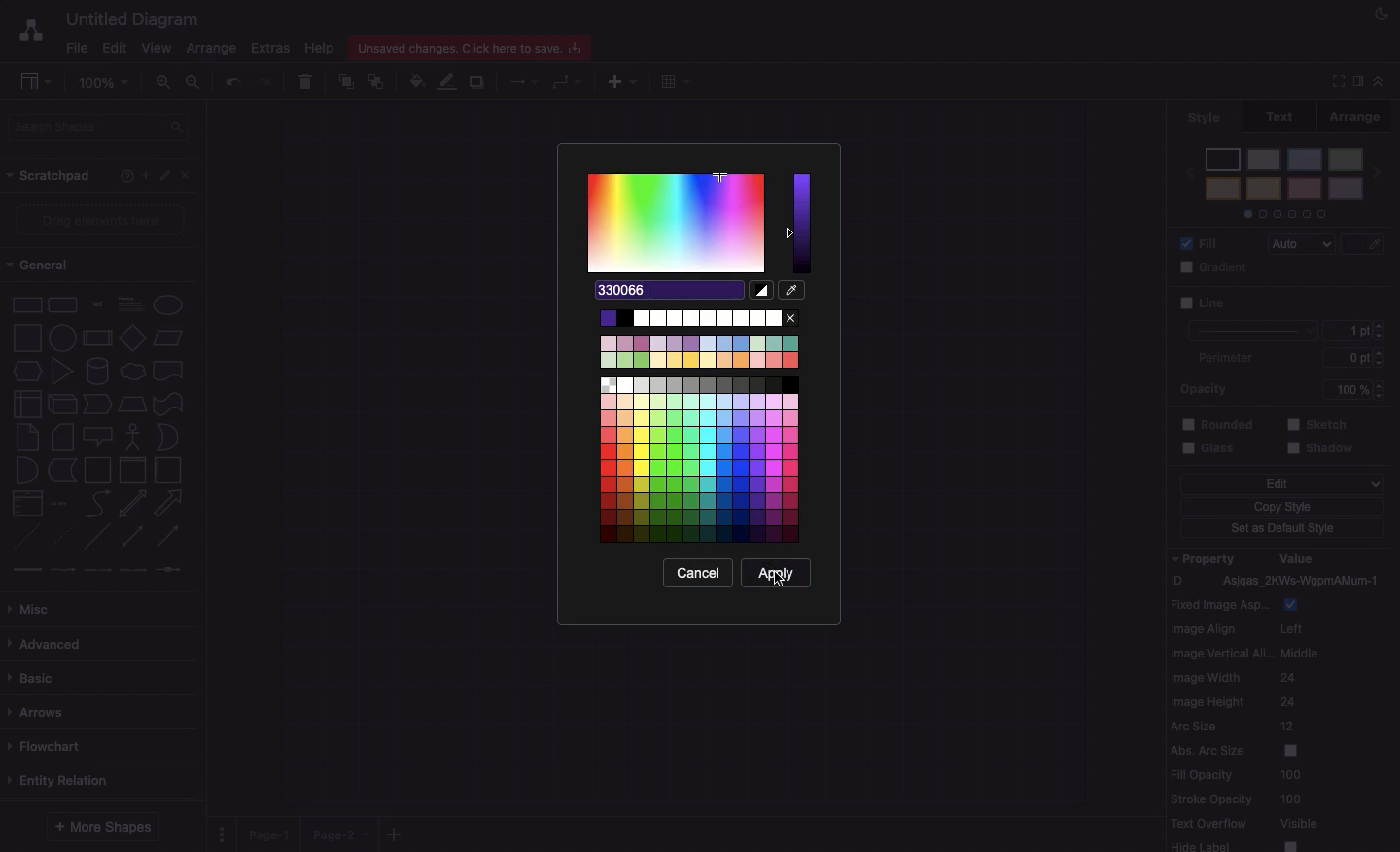 This screenshot has width=1400, height=852. I want to click on Sidebar, so click(37, 83).